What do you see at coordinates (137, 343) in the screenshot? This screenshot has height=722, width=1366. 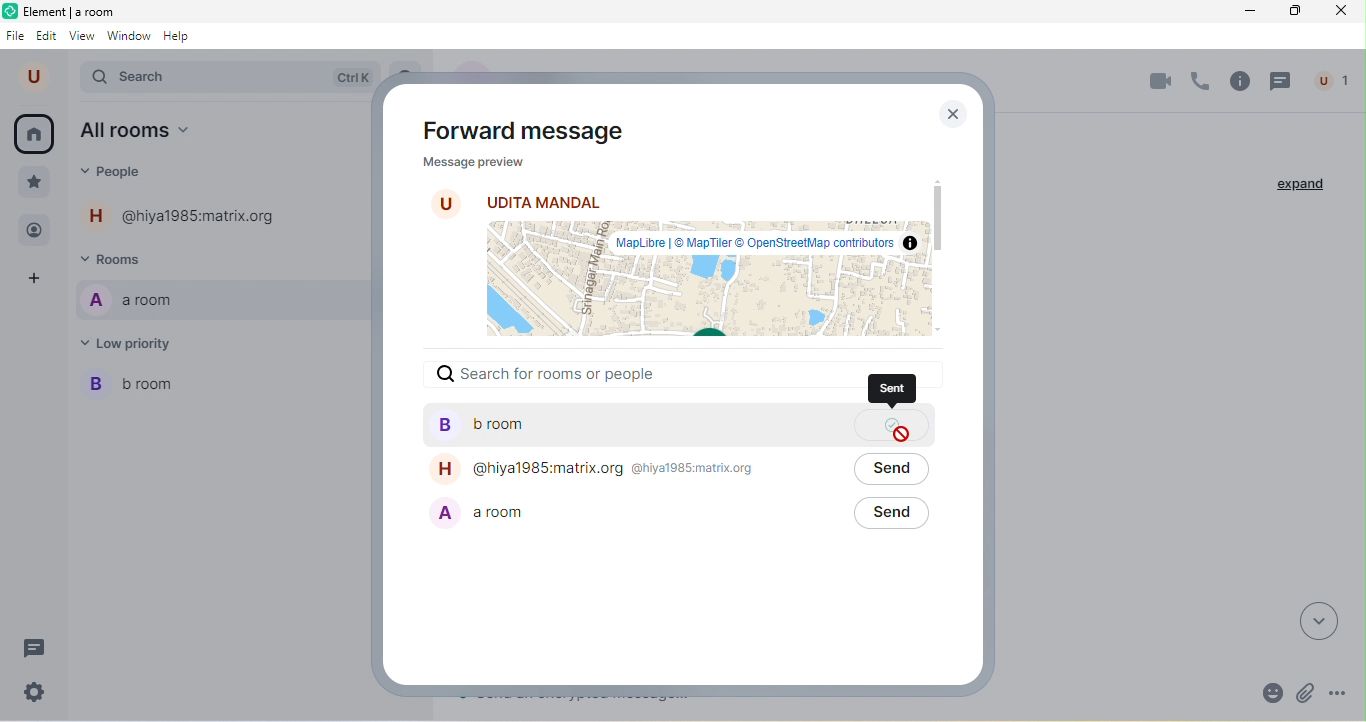 I see `low priority` at bounding box center [137, 343].